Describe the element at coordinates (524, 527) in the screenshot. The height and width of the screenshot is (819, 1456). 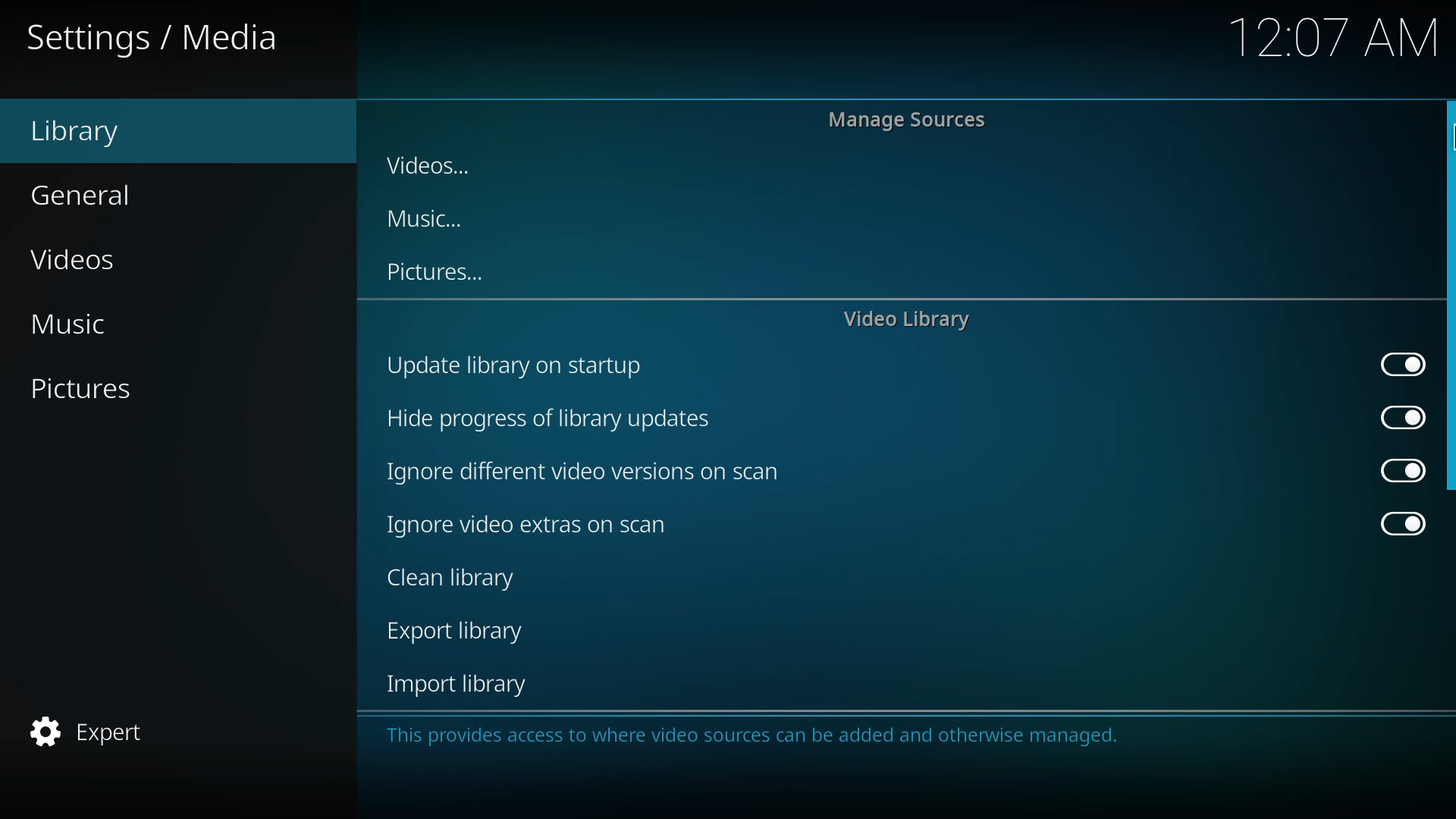
I see `clean library` at that location.